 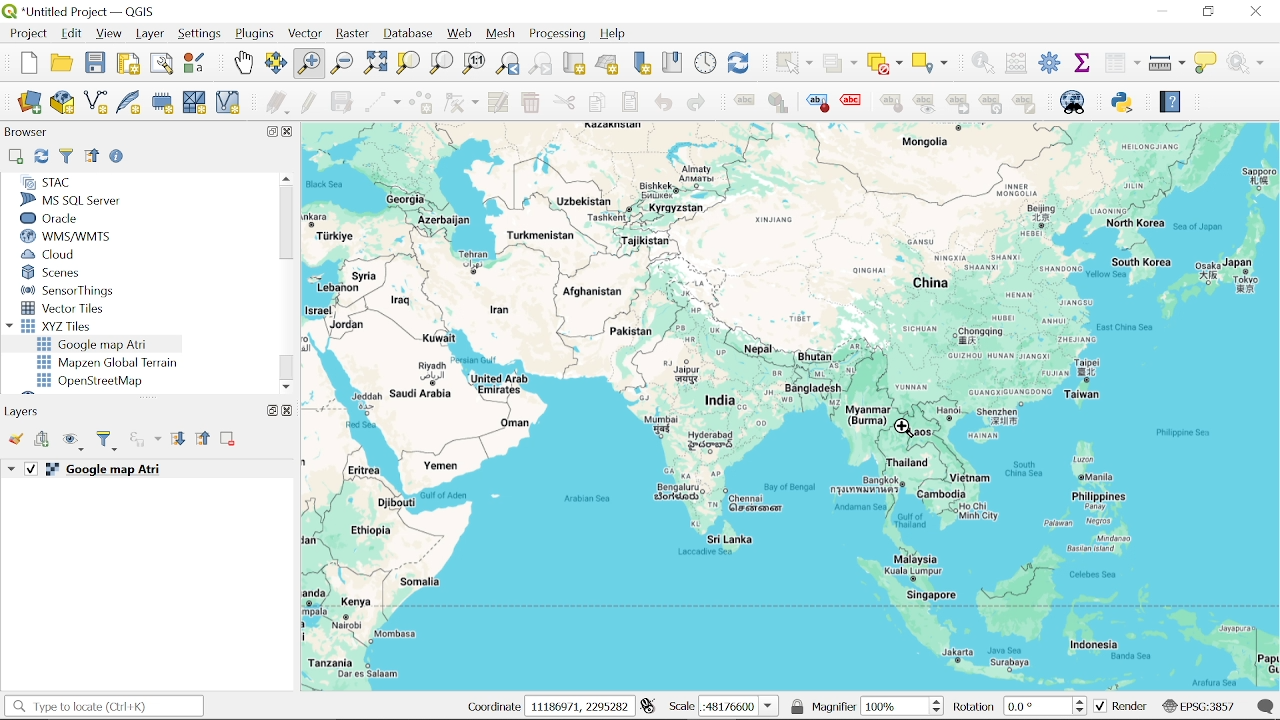 What do you see at coordinates (119, 158) in the screenshot?
I see `Enable/ disable` at bounding box center [119, 158].